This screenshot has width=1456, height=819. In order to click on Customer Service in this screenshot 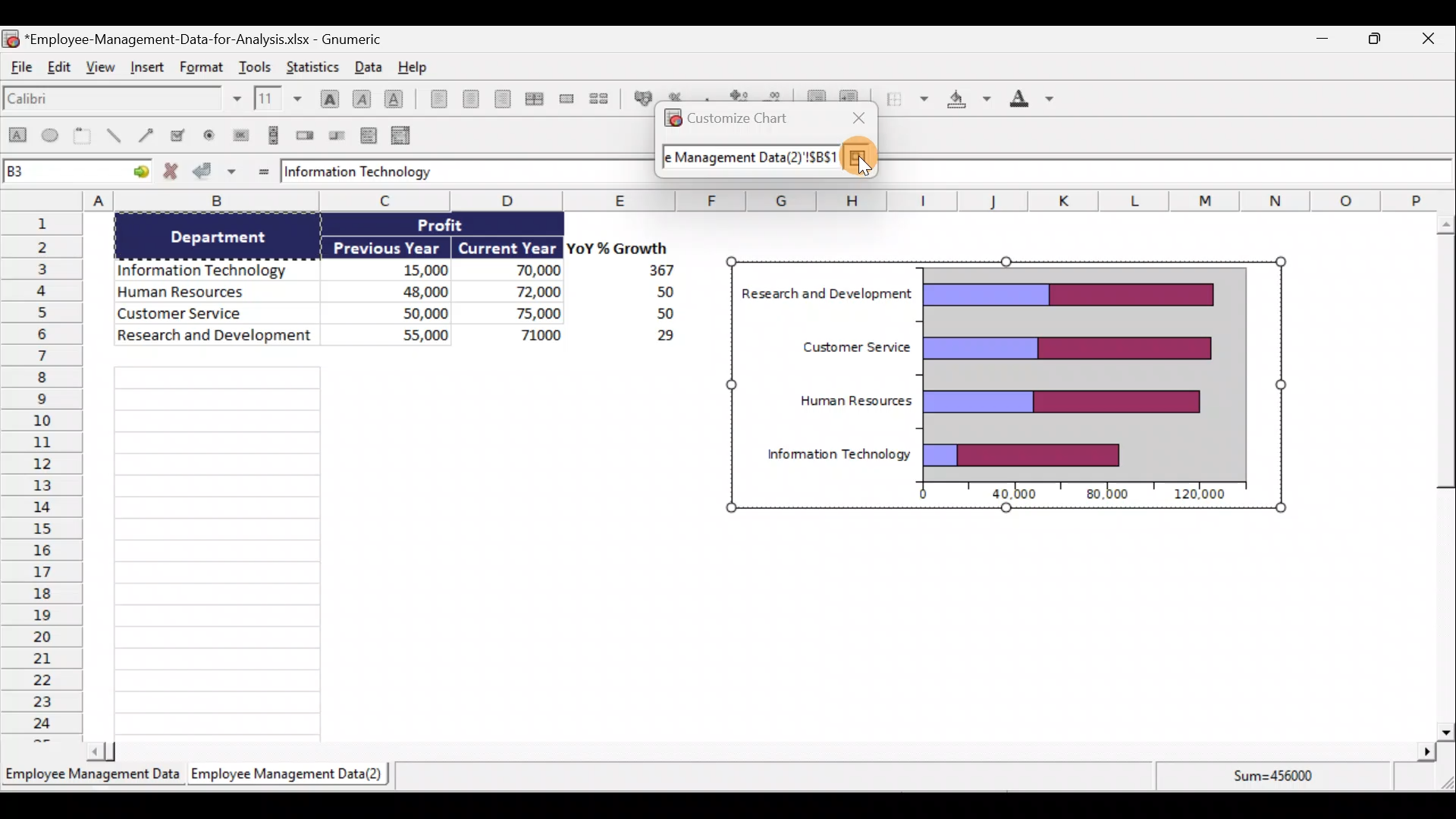, I will do `click(220, 315)`.